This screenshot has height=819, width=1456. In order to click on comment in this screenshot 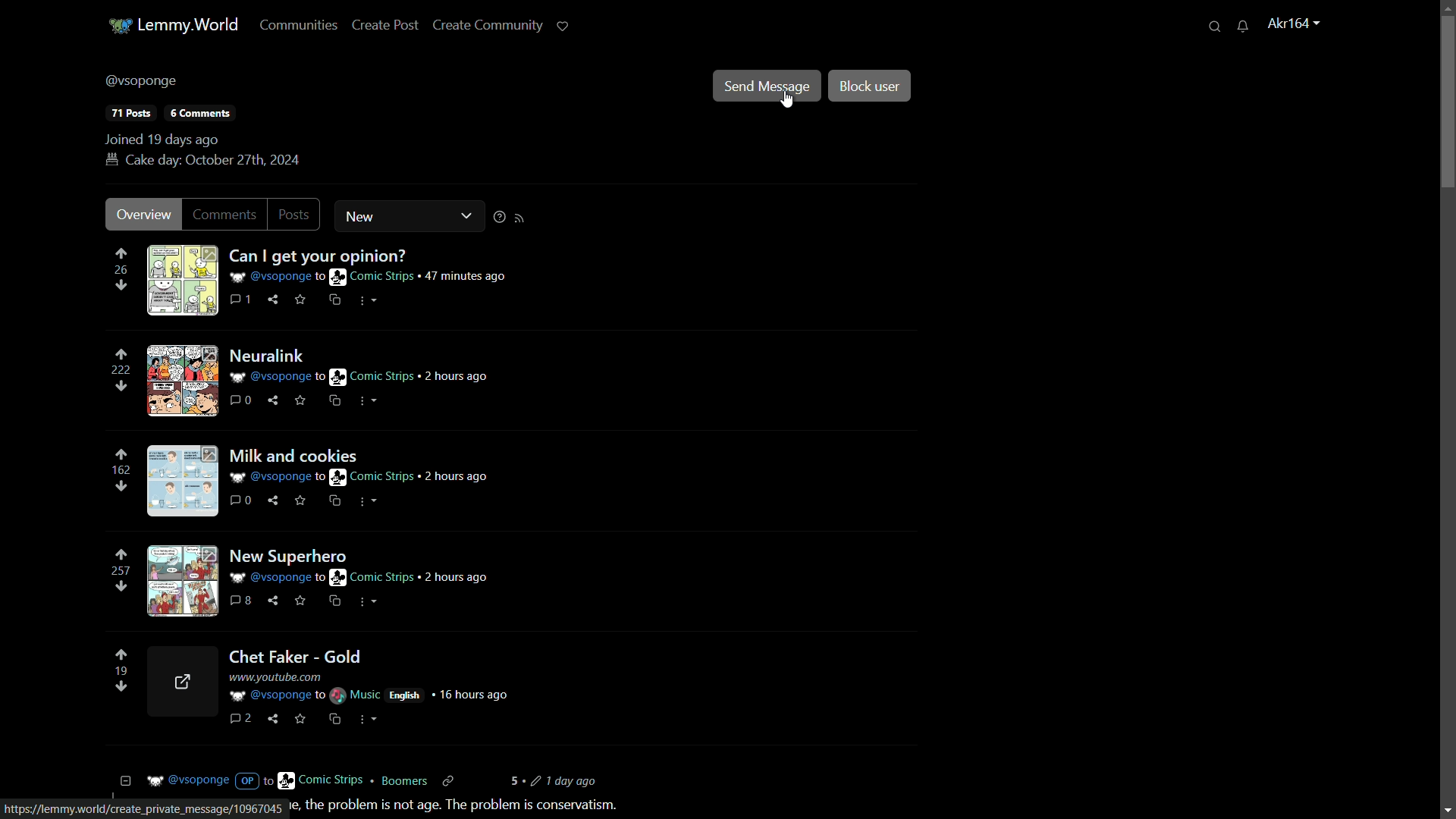, I will do `click(243, 499)`.